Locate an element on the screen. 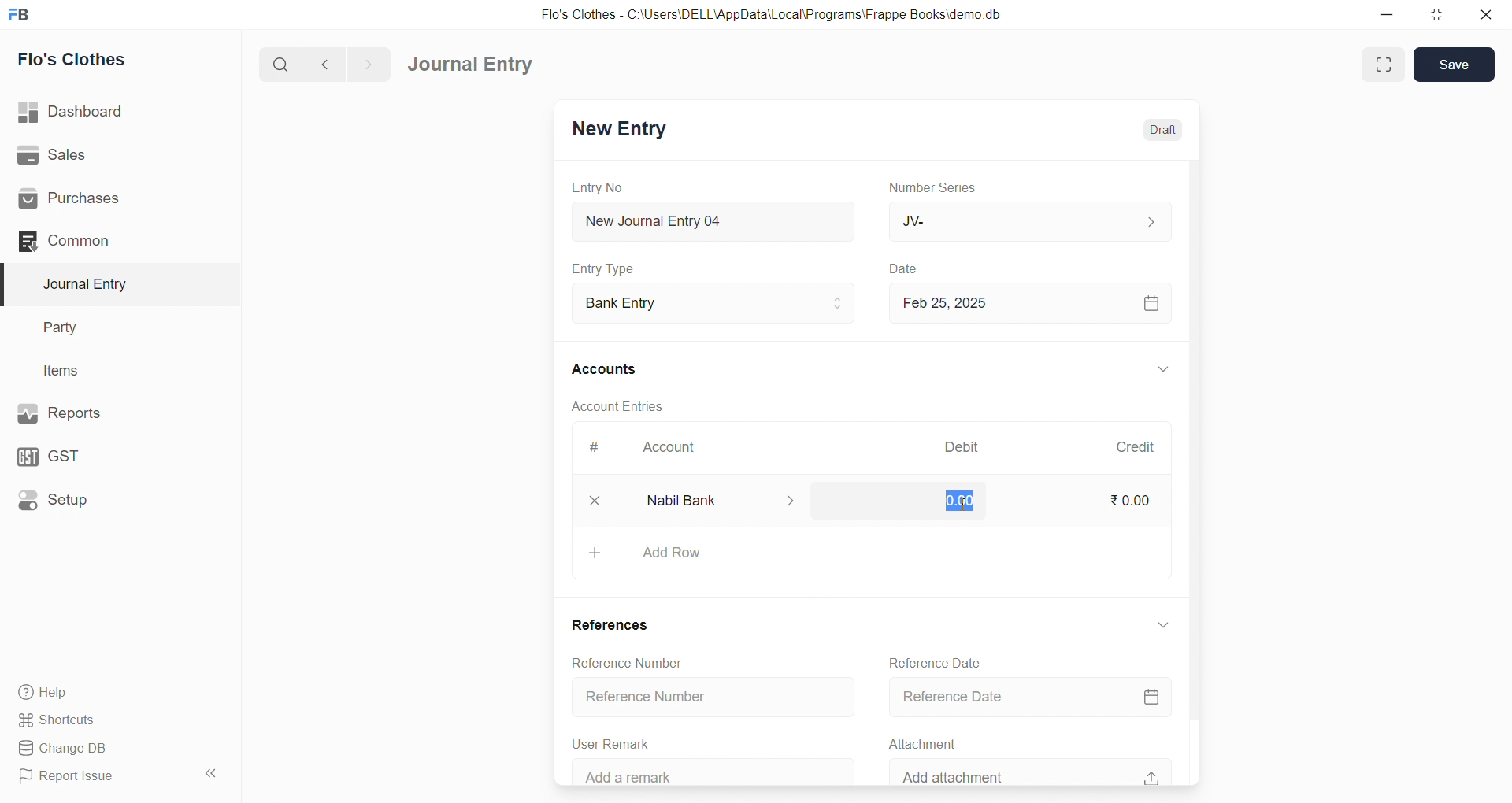 The height and width of the screenshot is (803, 1512). Collapse sidebar is located at coordinates (213, 776).